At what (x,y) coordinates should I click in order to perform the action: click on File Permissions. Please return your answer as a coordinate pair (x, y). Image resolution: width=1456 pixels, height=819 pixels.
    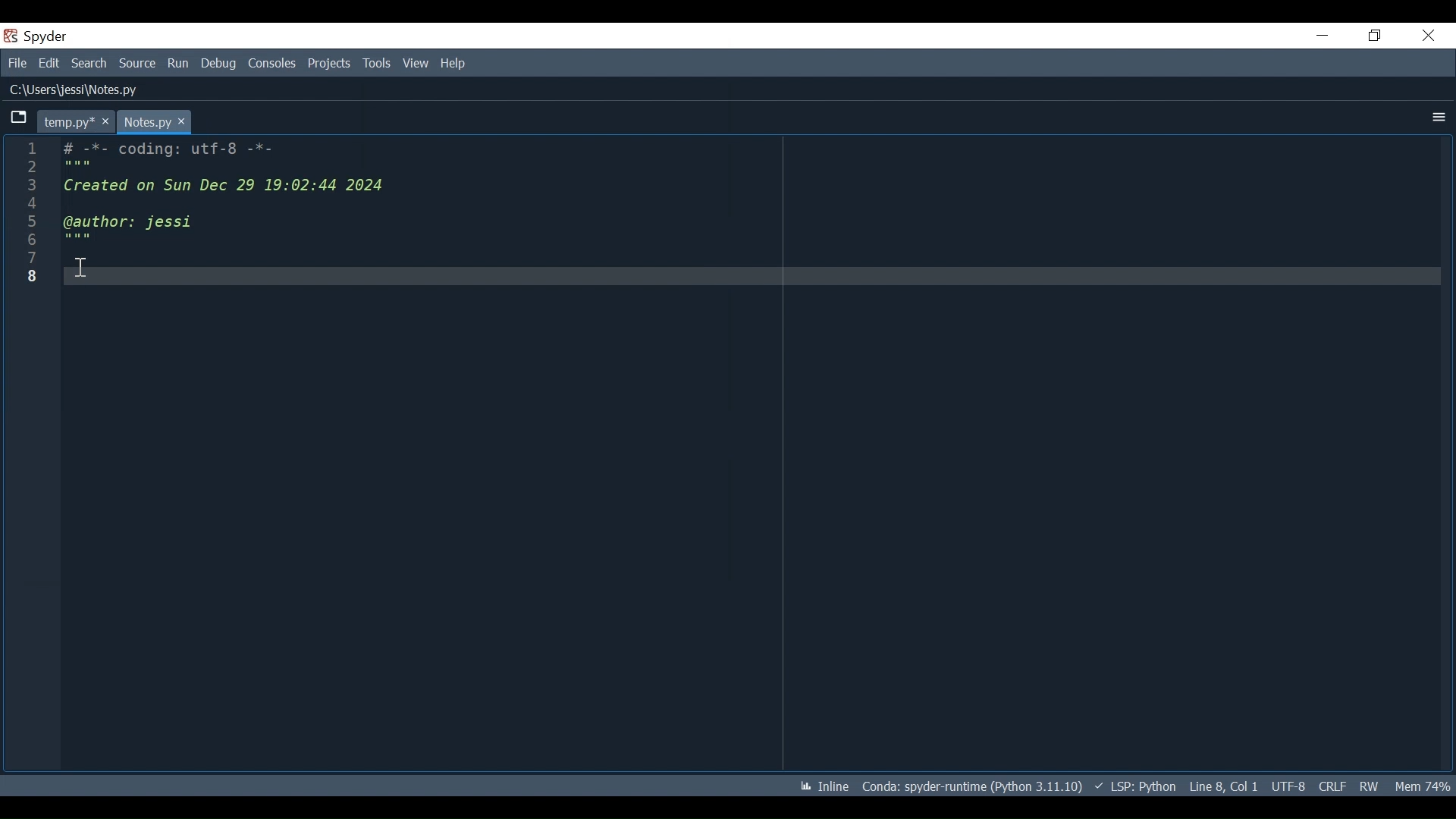
    Looking at the image, I should click on (1368, 786).